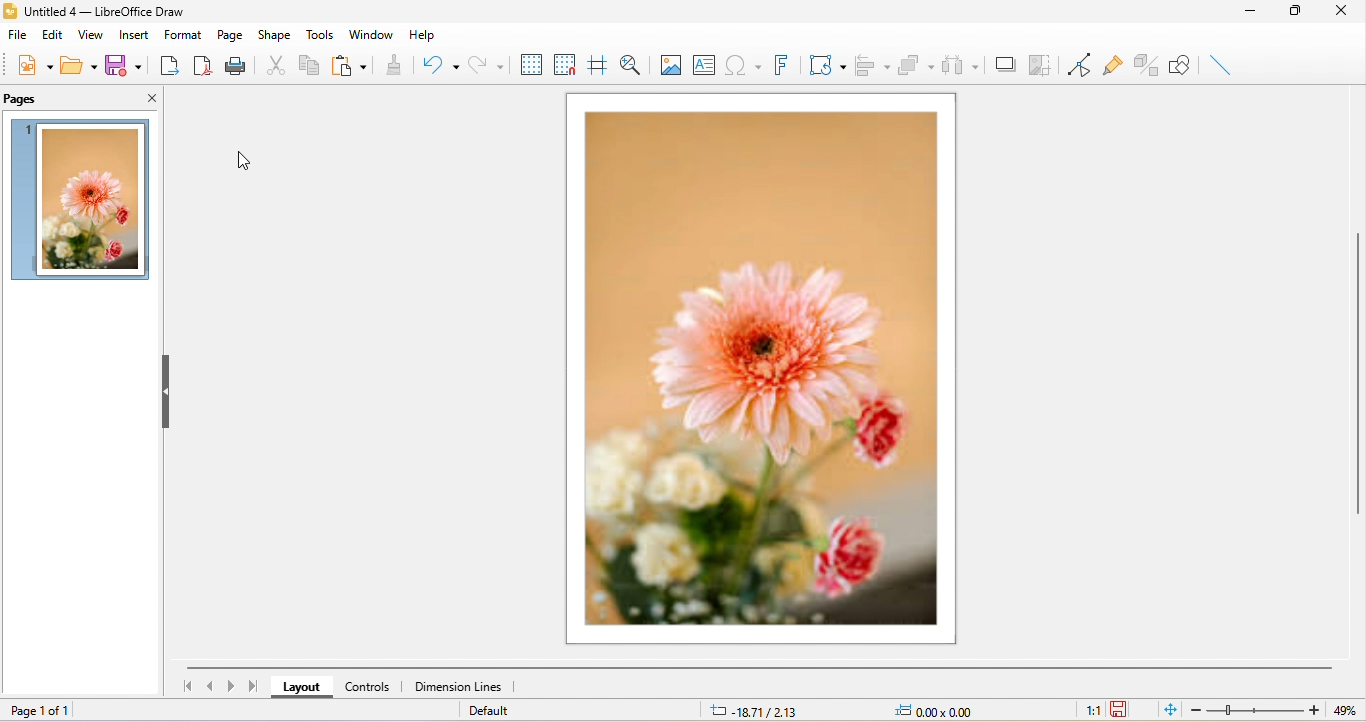 The height and width of the screenshot is (722, 1366). I want to click on close, so click(1346, 13).